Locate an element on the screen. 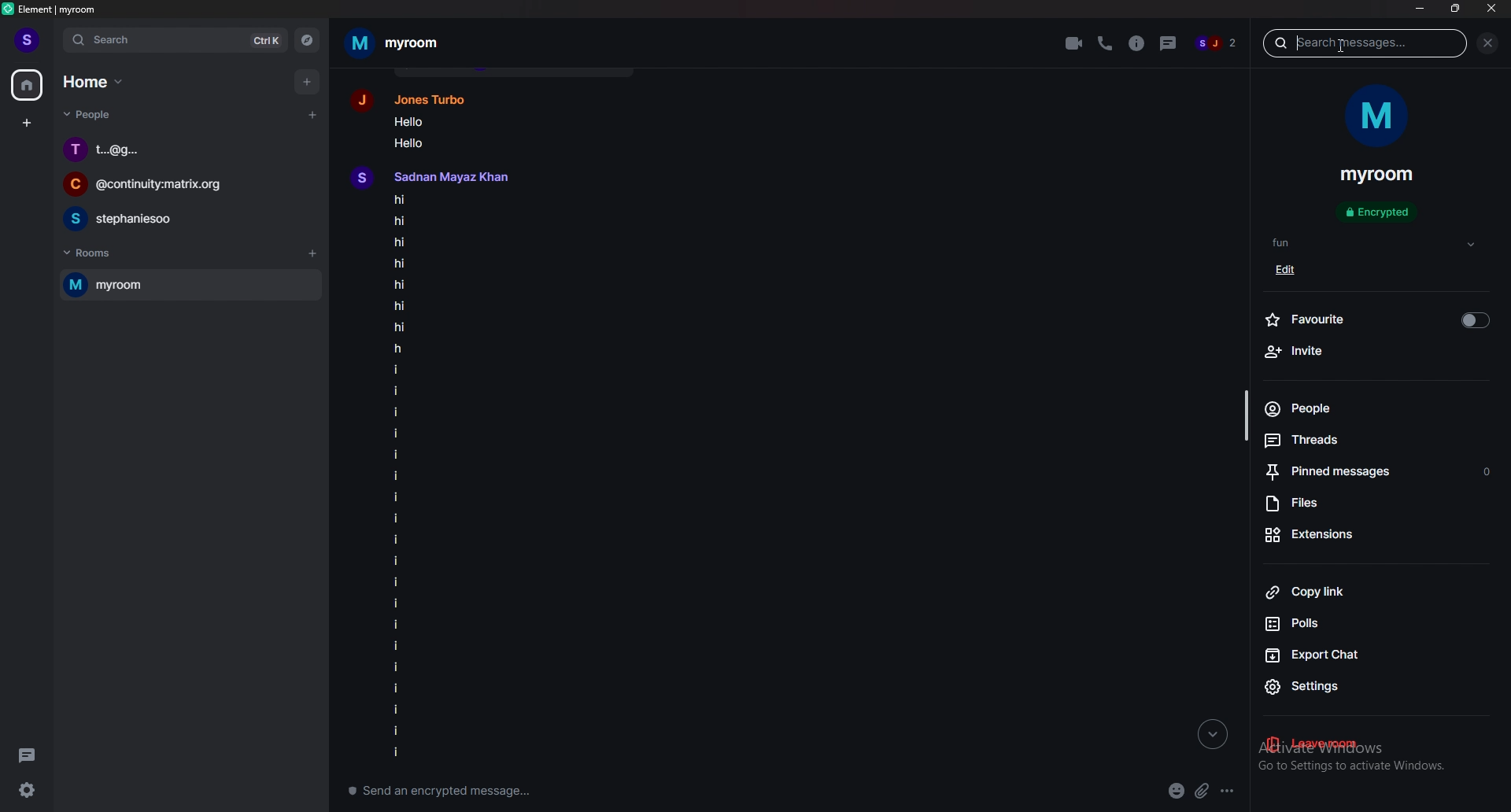 The width and height of the screenshot is (1511, 812). home is located at coordinates (28, 84).